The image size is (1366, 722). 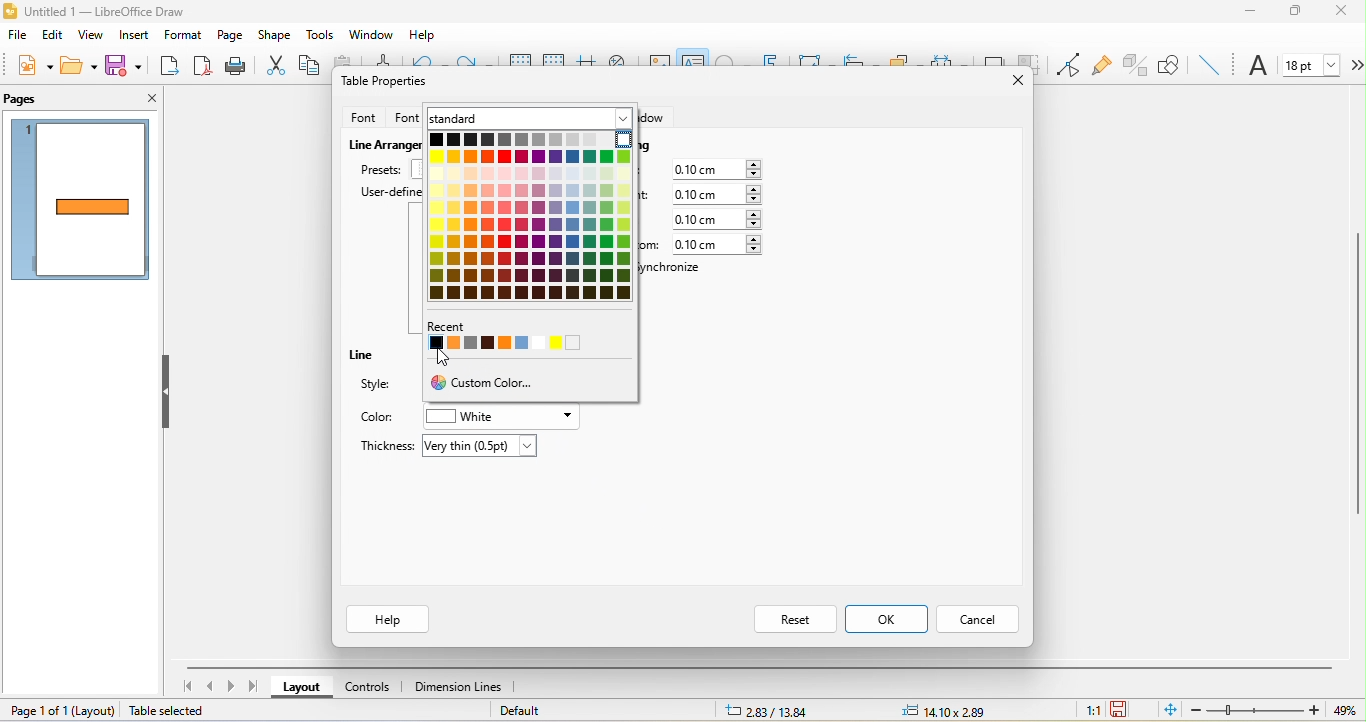 What do you see at coordinates (305, 688) in the screenshot?
I see `layout` at bounding box center [305, 688].